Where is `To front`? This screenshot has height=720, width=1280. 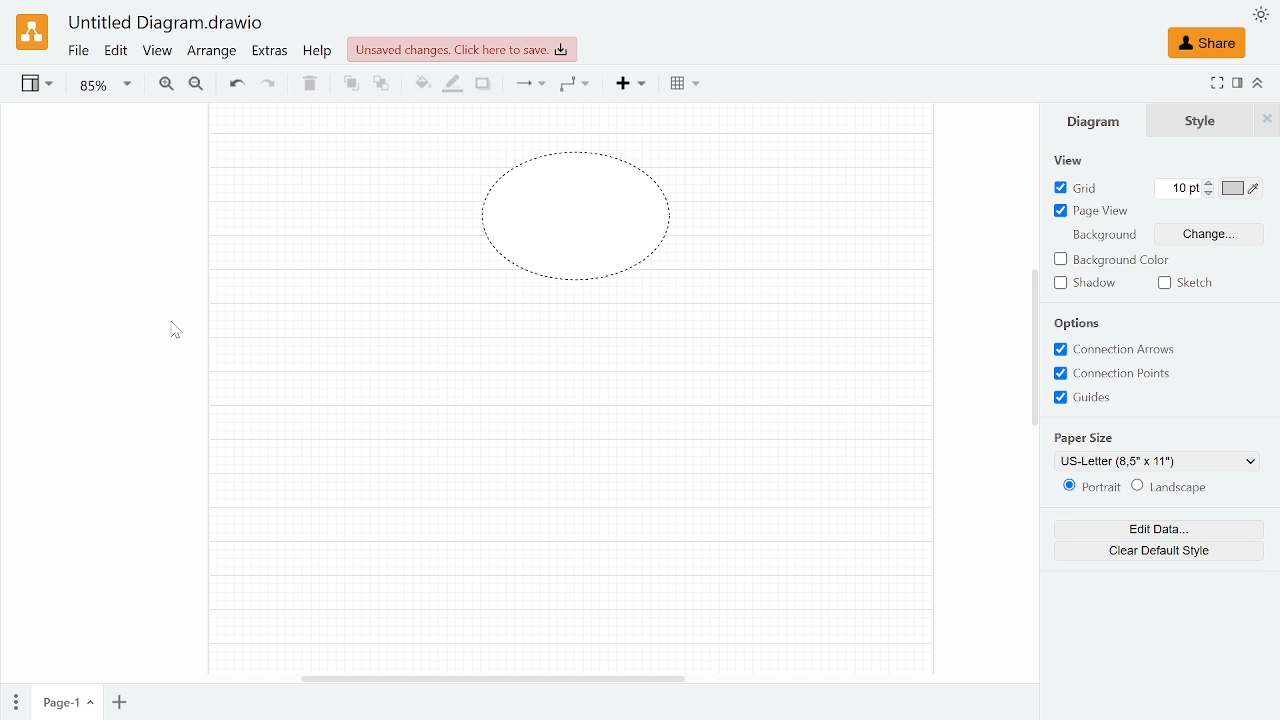 To front is located at coordinates (350, 86).